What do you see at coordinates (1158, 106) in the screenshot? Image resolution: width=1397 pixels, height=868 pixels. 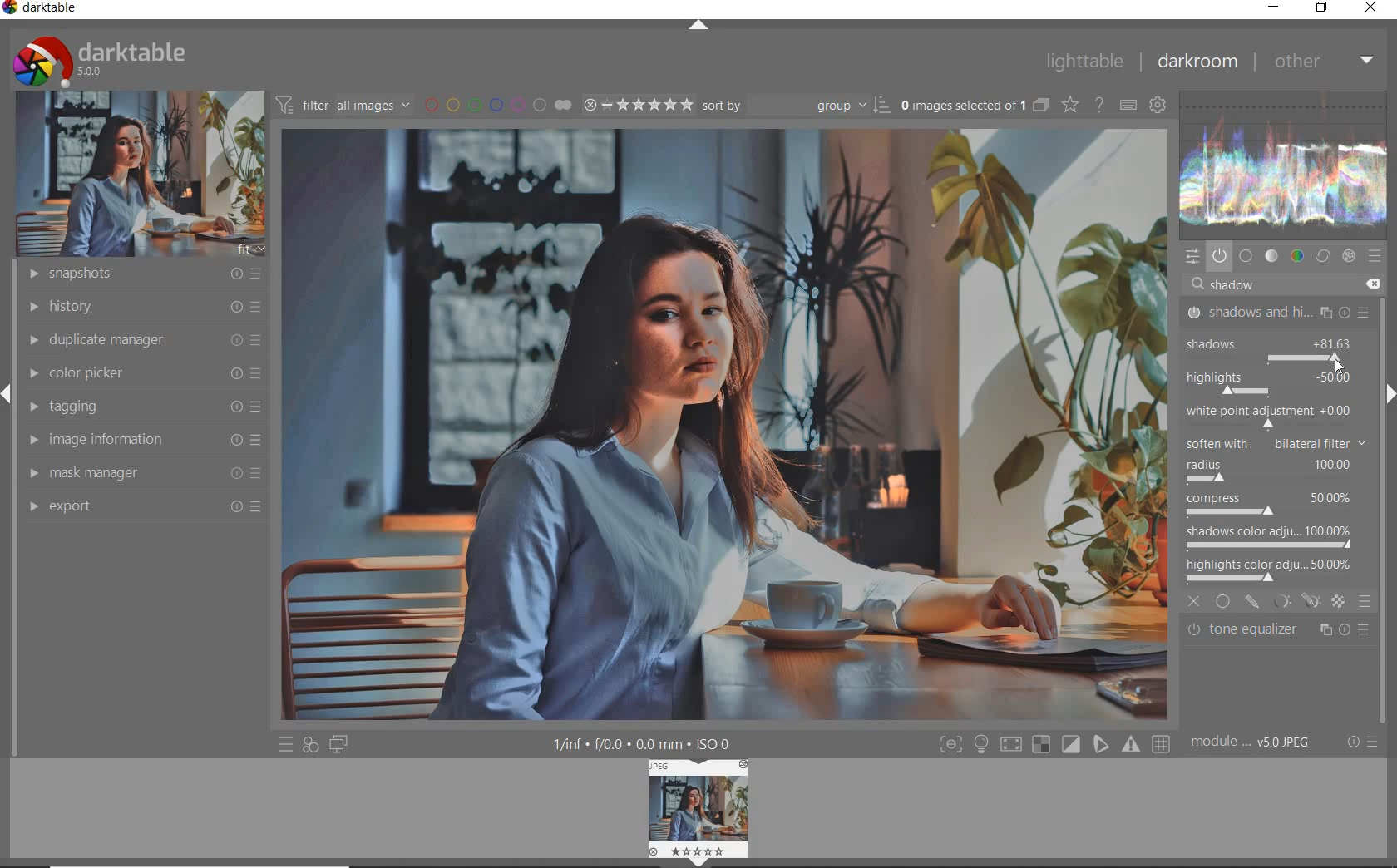 I see `show global preferences` at bounding box center [1158, 106].